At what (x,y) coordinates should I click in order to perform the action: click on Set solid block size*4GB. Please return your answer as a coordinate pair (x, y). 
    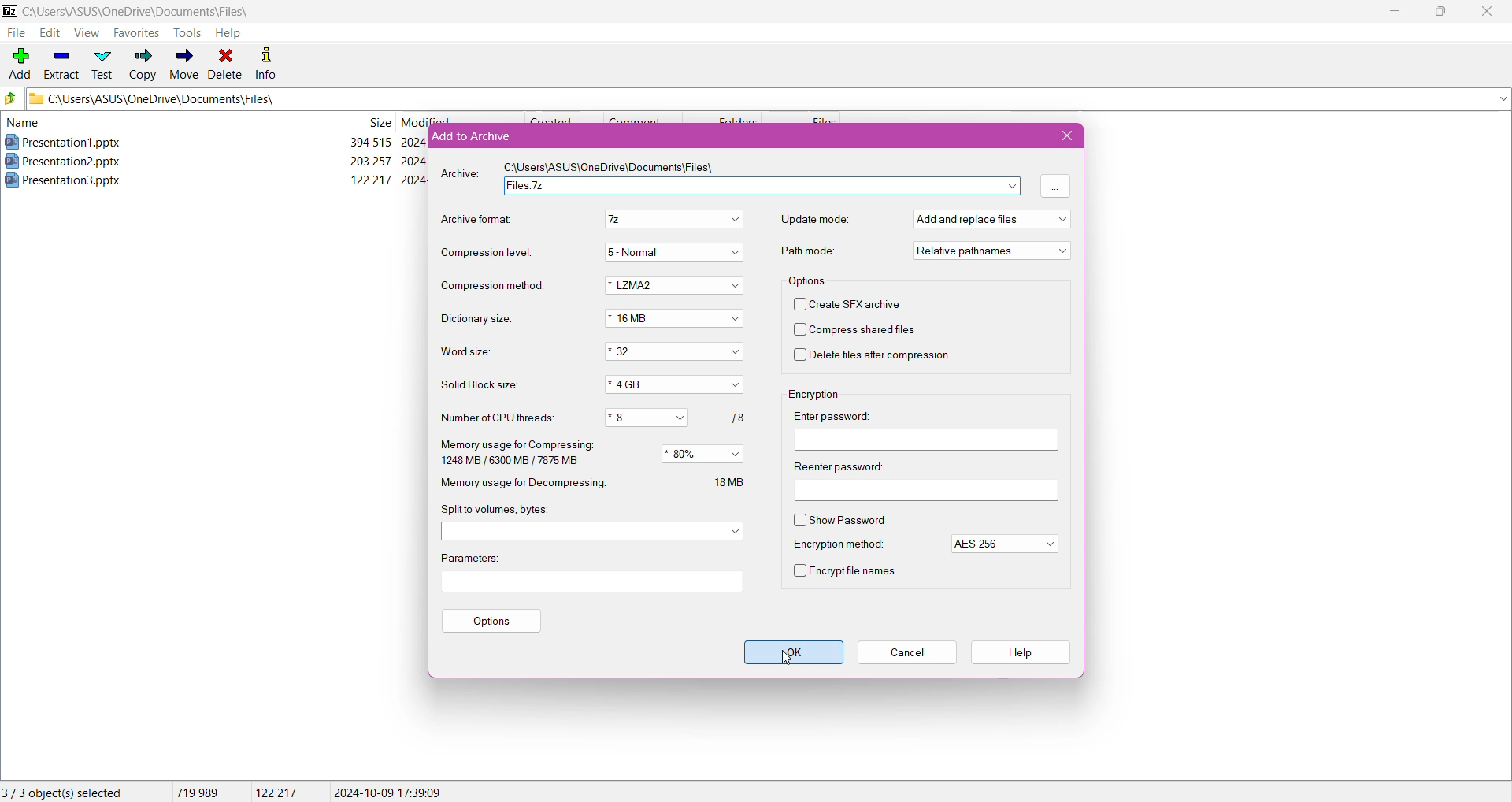
    Looking at the image, I should click on (673, 385).